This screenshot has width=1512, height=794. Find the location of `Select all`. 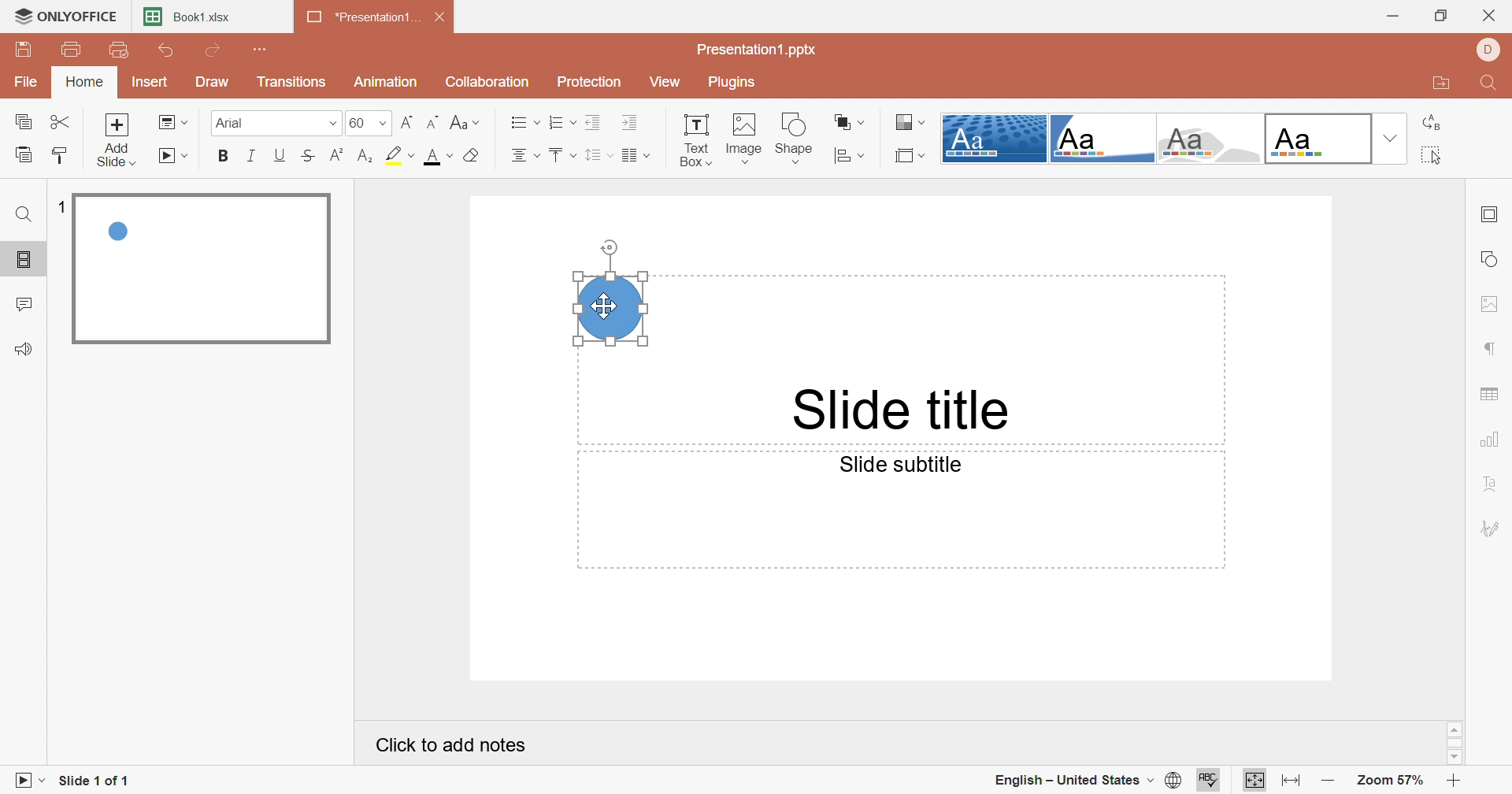

Select all is located at coordinates (1428, 156).